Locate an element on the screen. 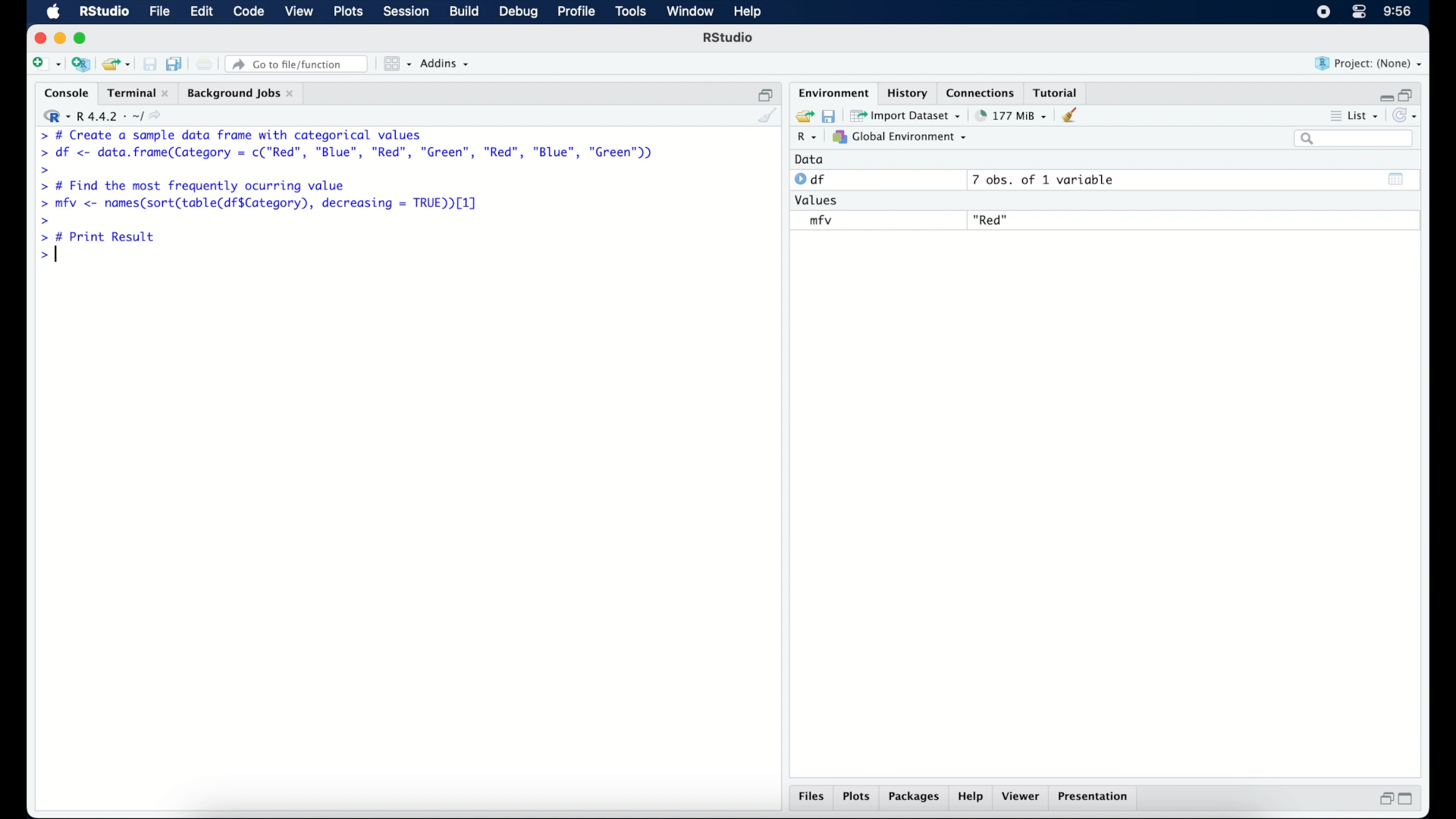 The image size is (1456, 819). presentation is located at coordinates (1097, 798).